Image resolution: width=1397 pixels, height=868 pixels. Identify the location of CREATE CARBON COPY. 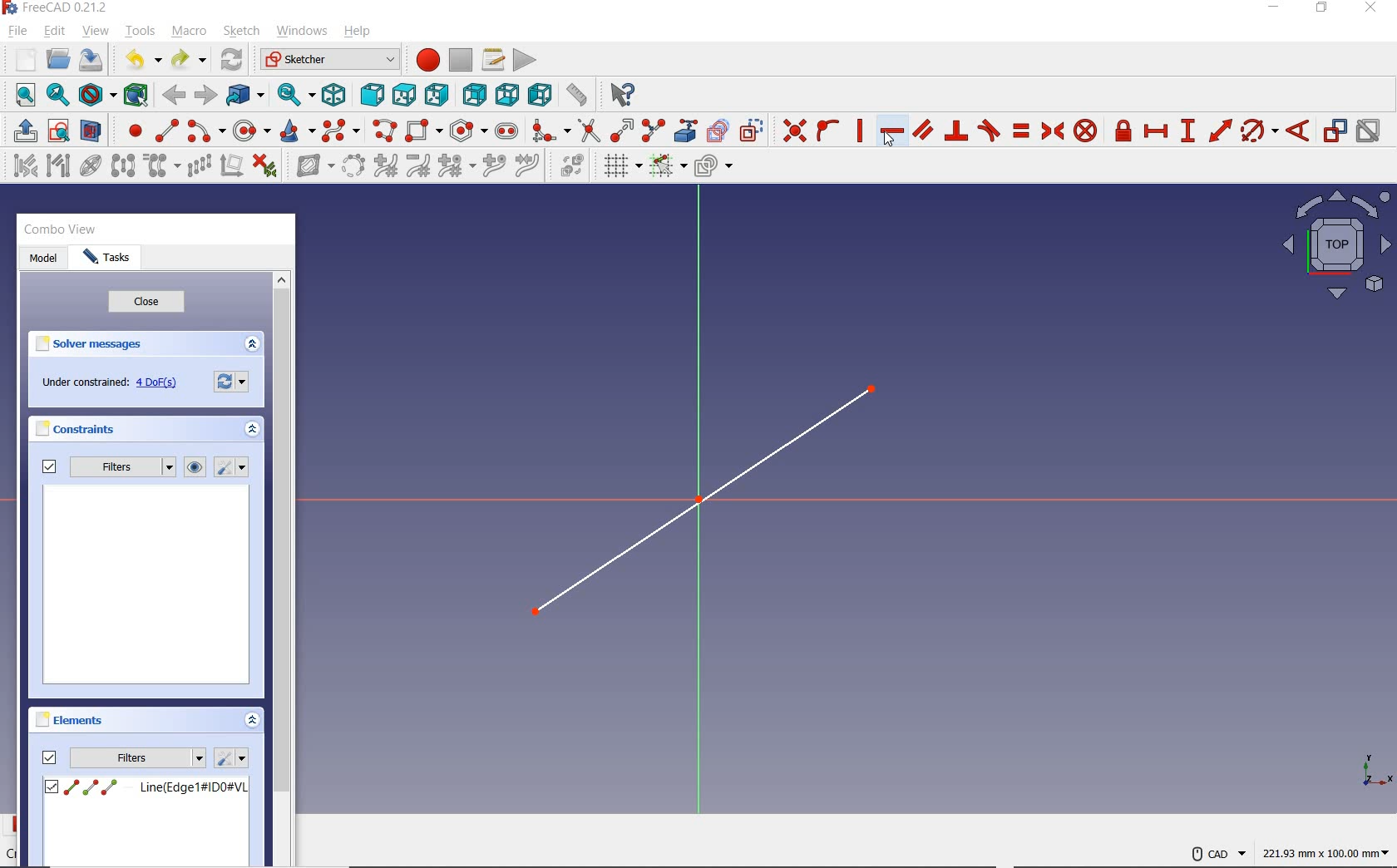
(718, 129).